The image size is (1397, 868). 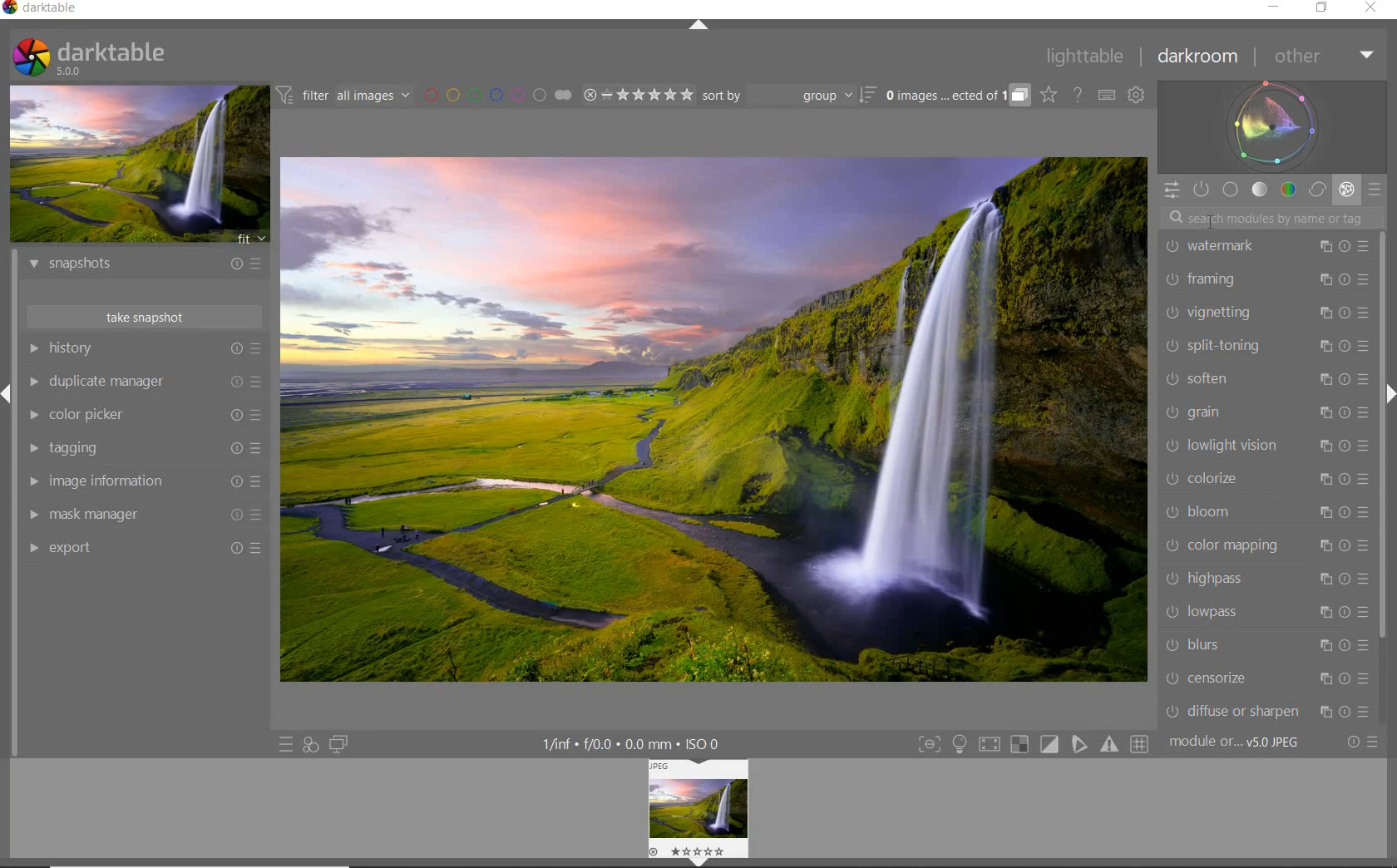 What do you see at coordinates (1376, 192) in the screenshot?
I see `preset` at bounding box center [1376, 192].